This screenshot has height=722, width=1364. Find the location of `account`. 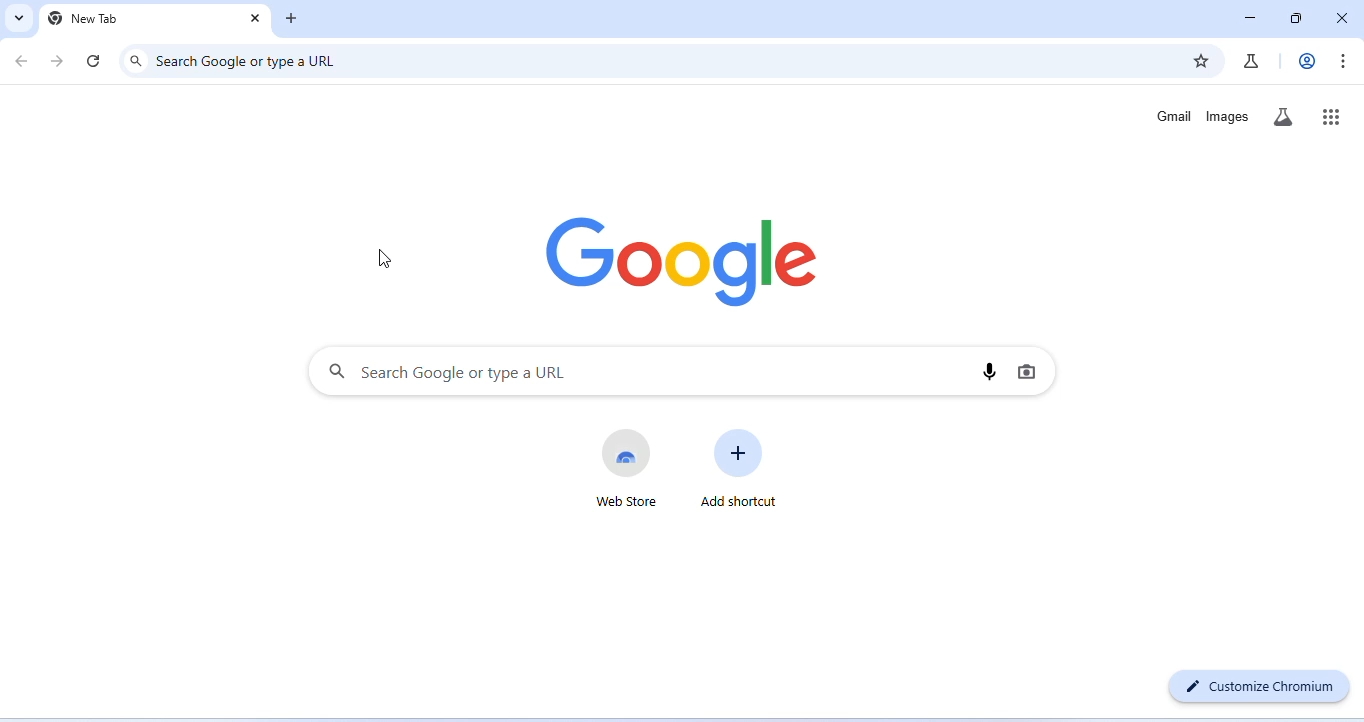

account is located at coordinates (1304, 61).